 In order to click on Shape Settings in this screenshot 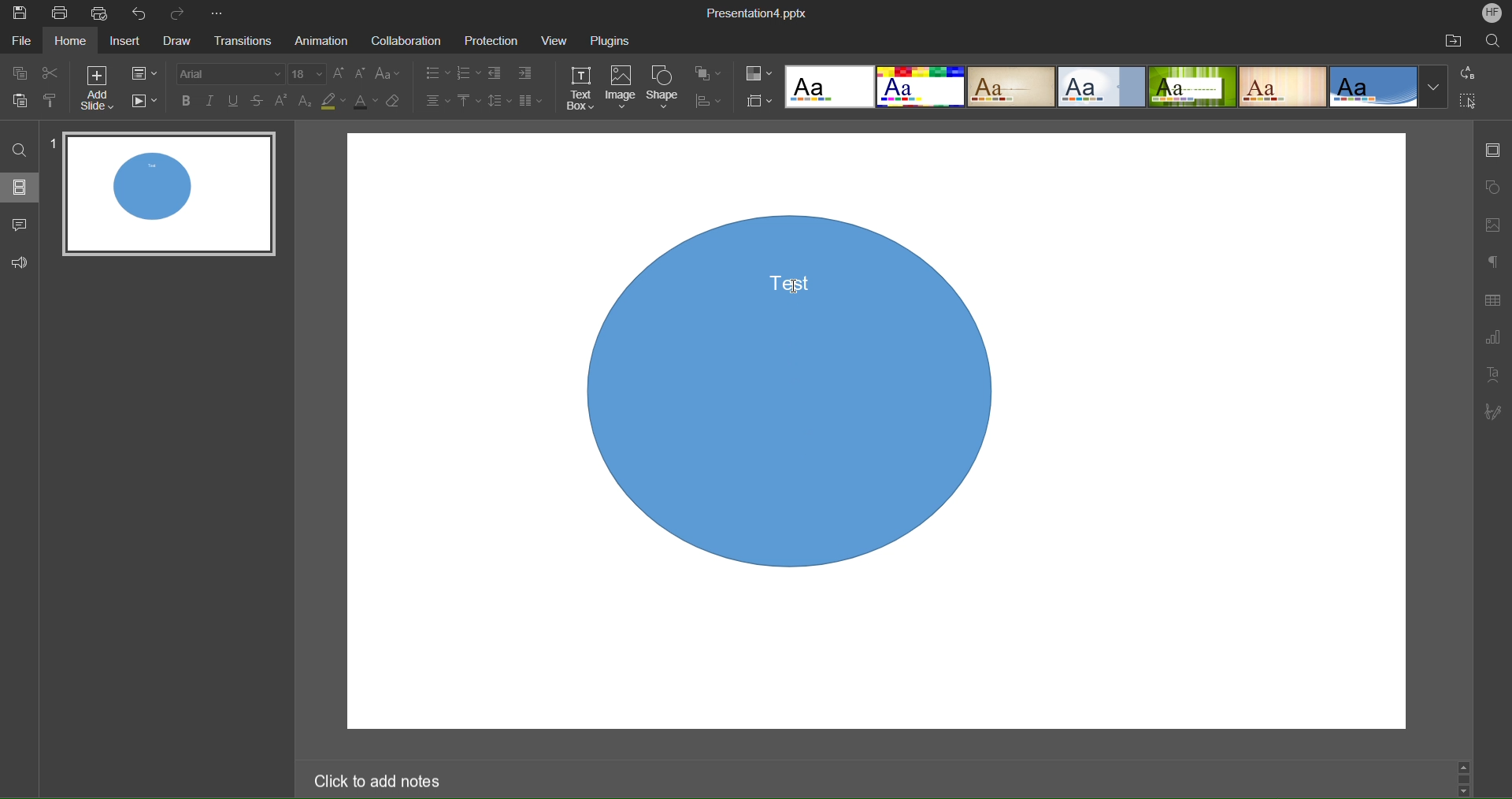, I will do `click(1493, 187)`.